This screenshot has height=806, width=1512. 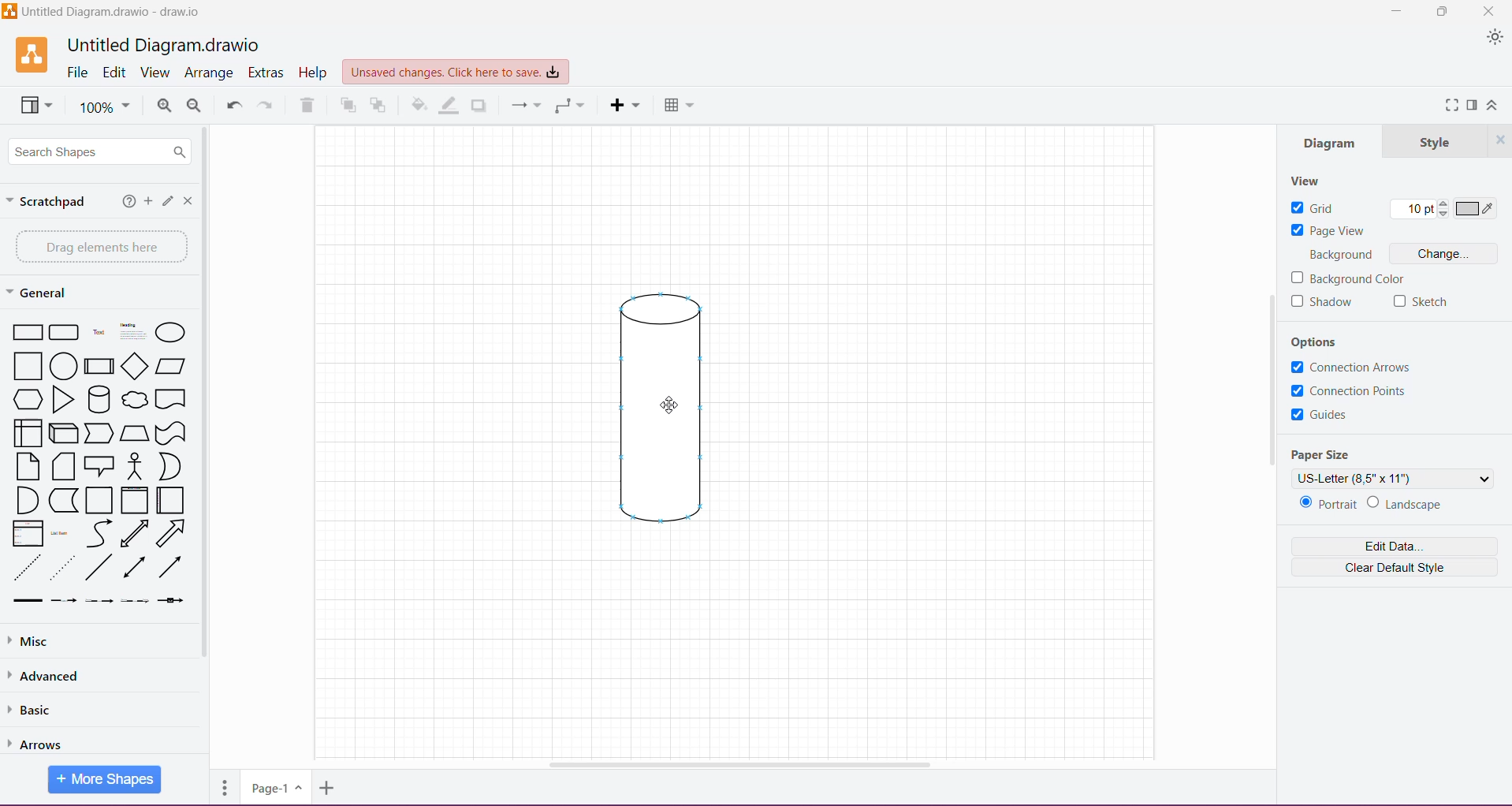 What do you see at coordinates (39, 293) in the screenshot?
I see `General - Click or Drag and drop your shapes` at bounding box center [39, 293].